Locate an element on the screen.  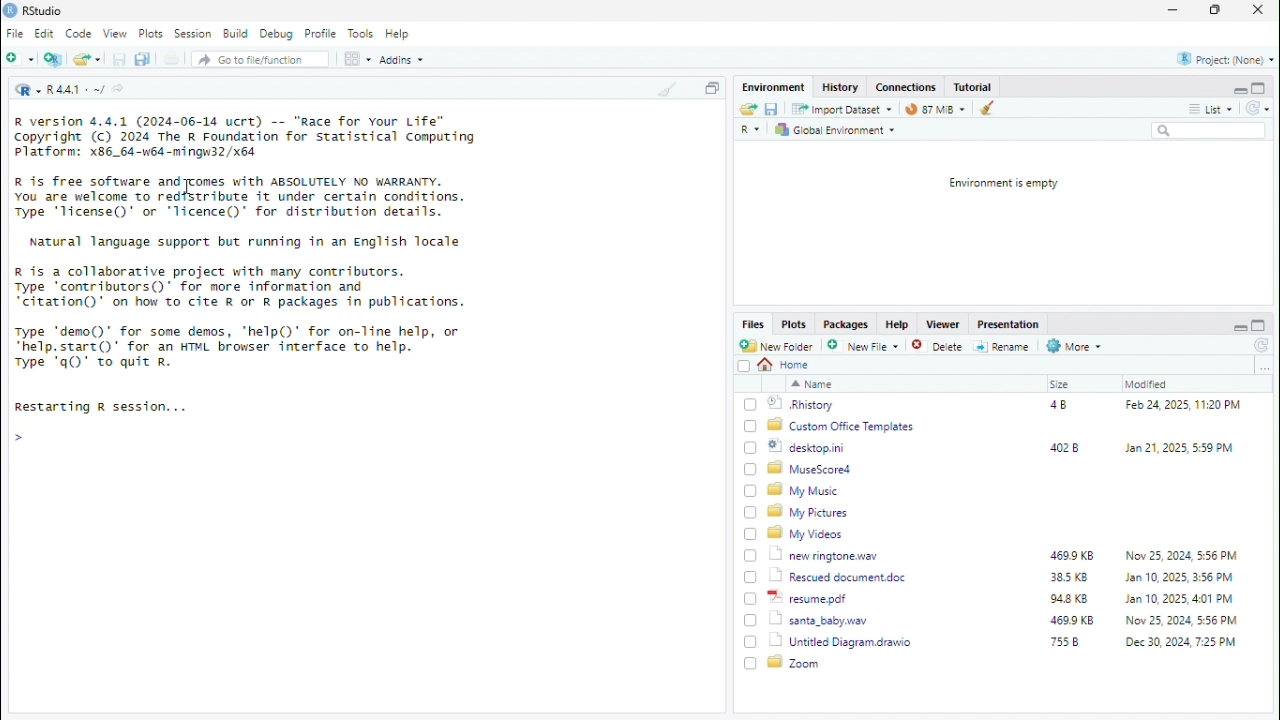
Connections is located at coordinates (907, 86).